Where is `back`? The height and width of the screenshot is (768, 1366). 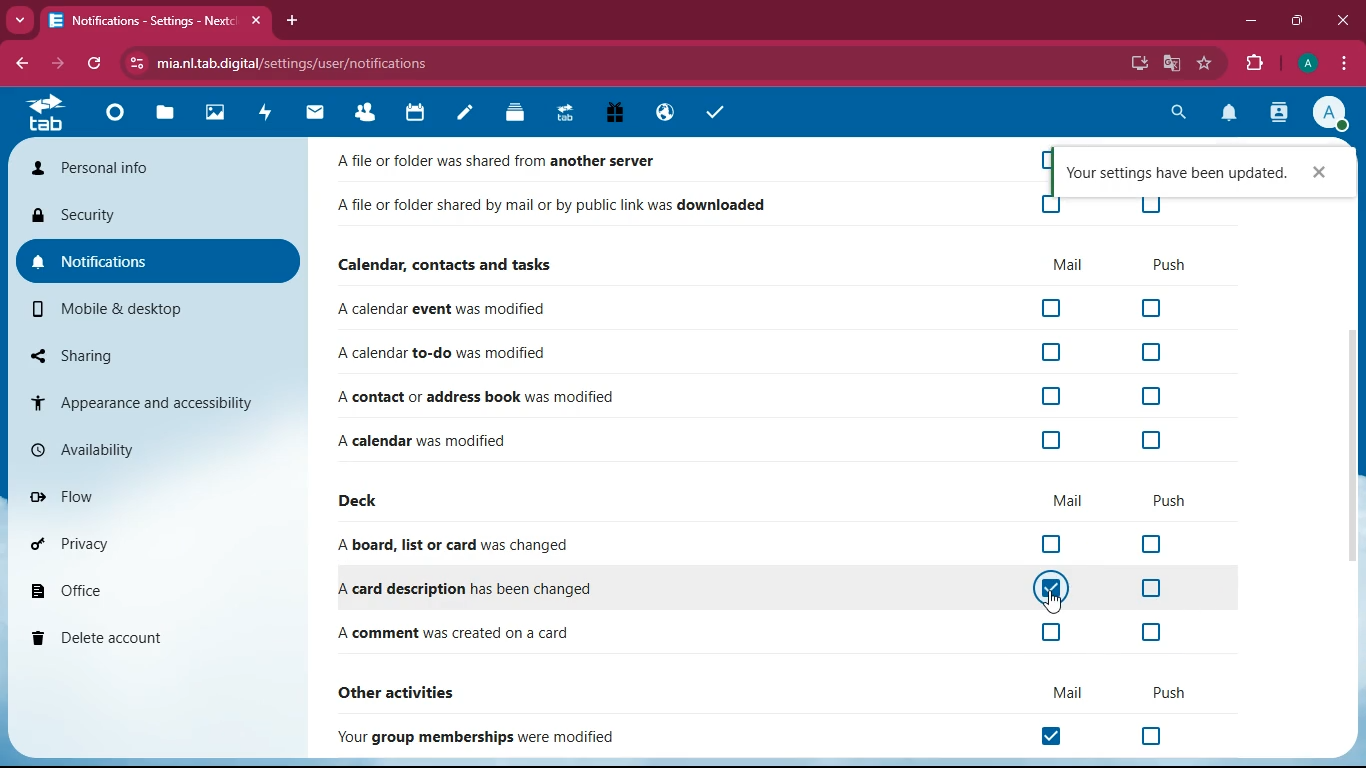 back is located at coordinates (19, 63).